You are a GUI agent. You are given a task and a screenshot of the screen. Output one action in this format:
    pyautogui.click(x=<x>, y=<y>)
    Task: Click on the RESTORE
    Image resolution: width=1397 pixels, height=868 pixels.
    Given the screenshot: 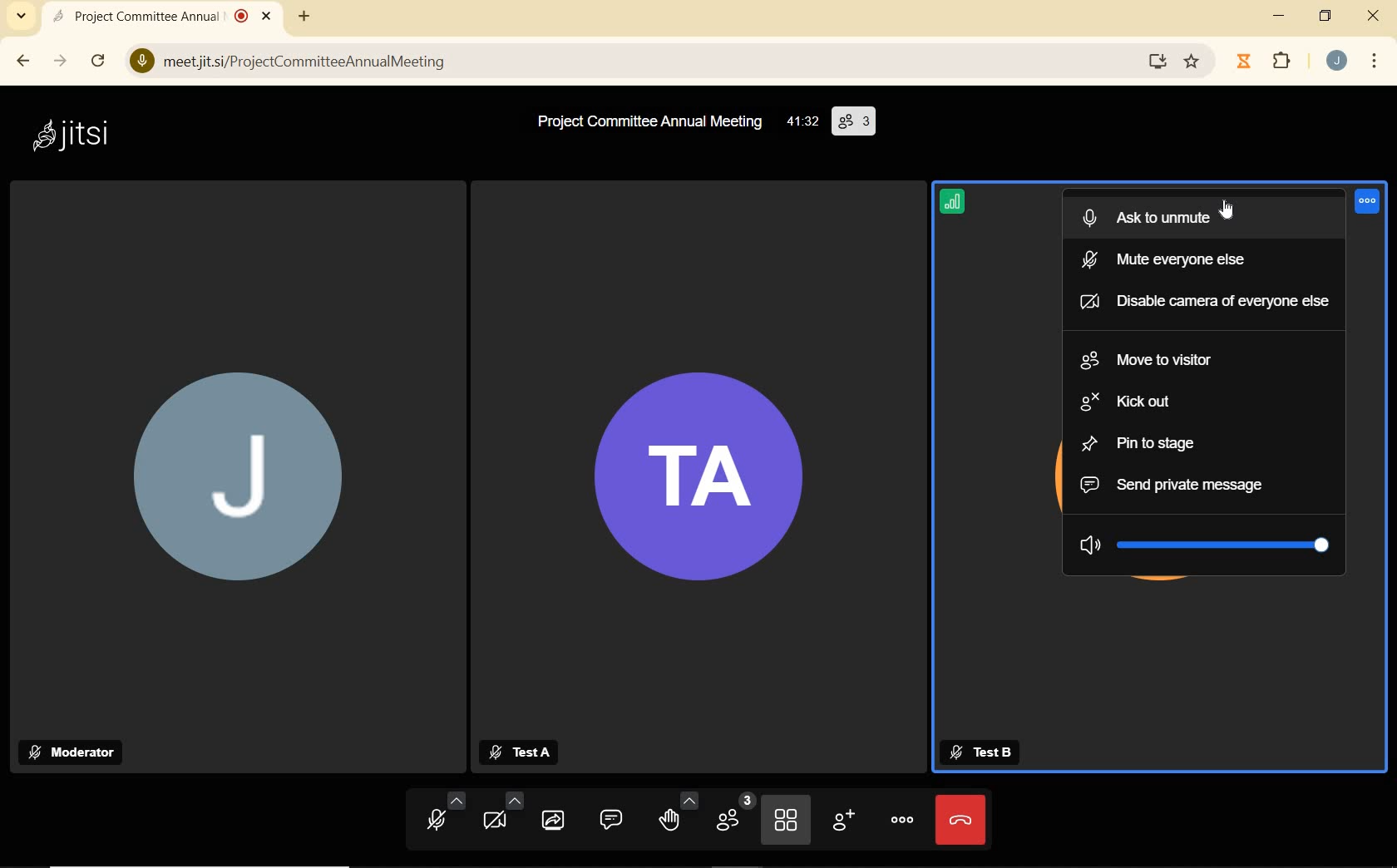 What is the action you would take?
    pyautogui.click(x=1324, y=17)
    